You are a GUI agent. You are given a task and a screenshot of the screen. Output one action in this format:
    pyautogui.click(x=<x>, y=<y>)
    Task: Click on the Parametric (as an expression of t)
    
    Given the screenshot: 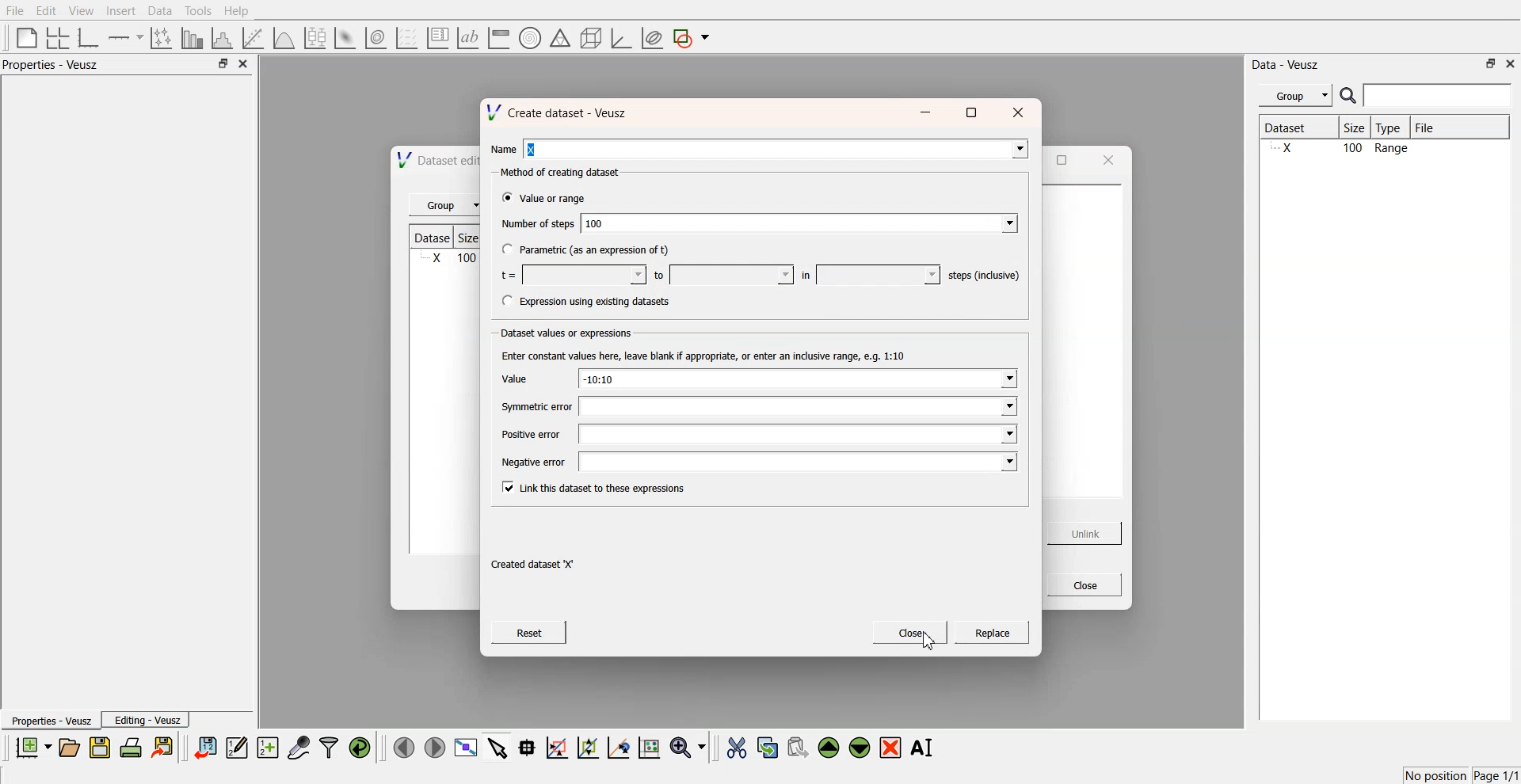 What is the action you would take?
    pyautogui.click(x=596, y=251)
    